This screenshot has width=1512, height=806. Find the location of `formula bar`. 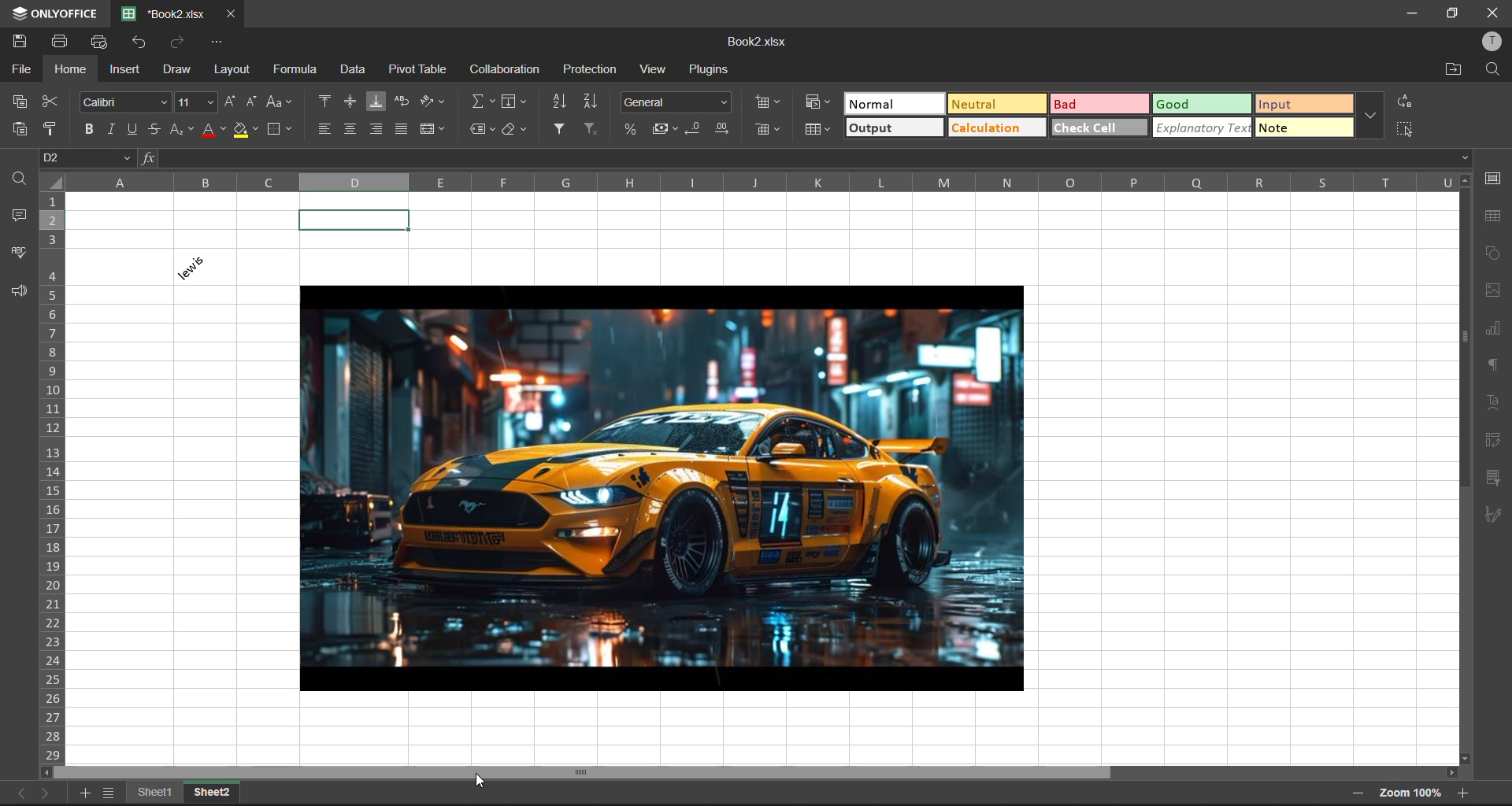

formula bar is located at coordinates (806, 157).